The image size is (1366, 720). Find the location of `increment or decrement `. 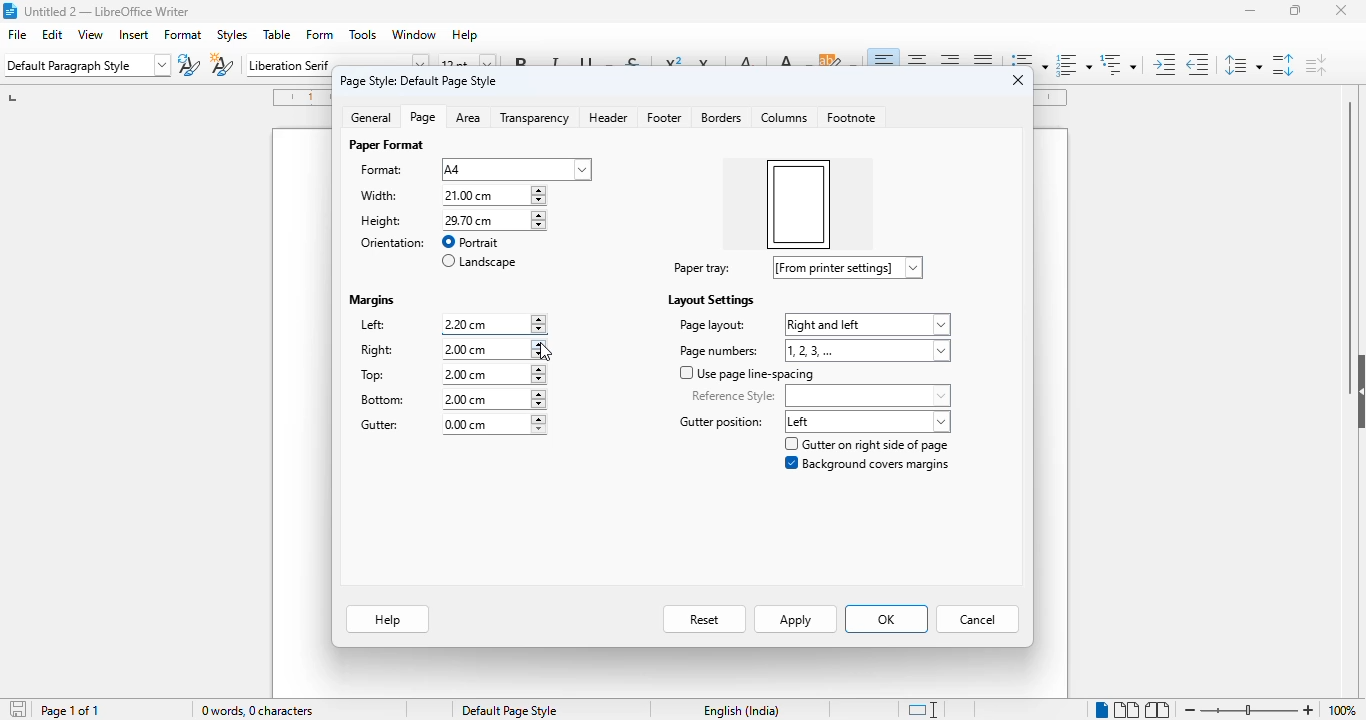

increment or decrement  is located at coordinates (542, 349).